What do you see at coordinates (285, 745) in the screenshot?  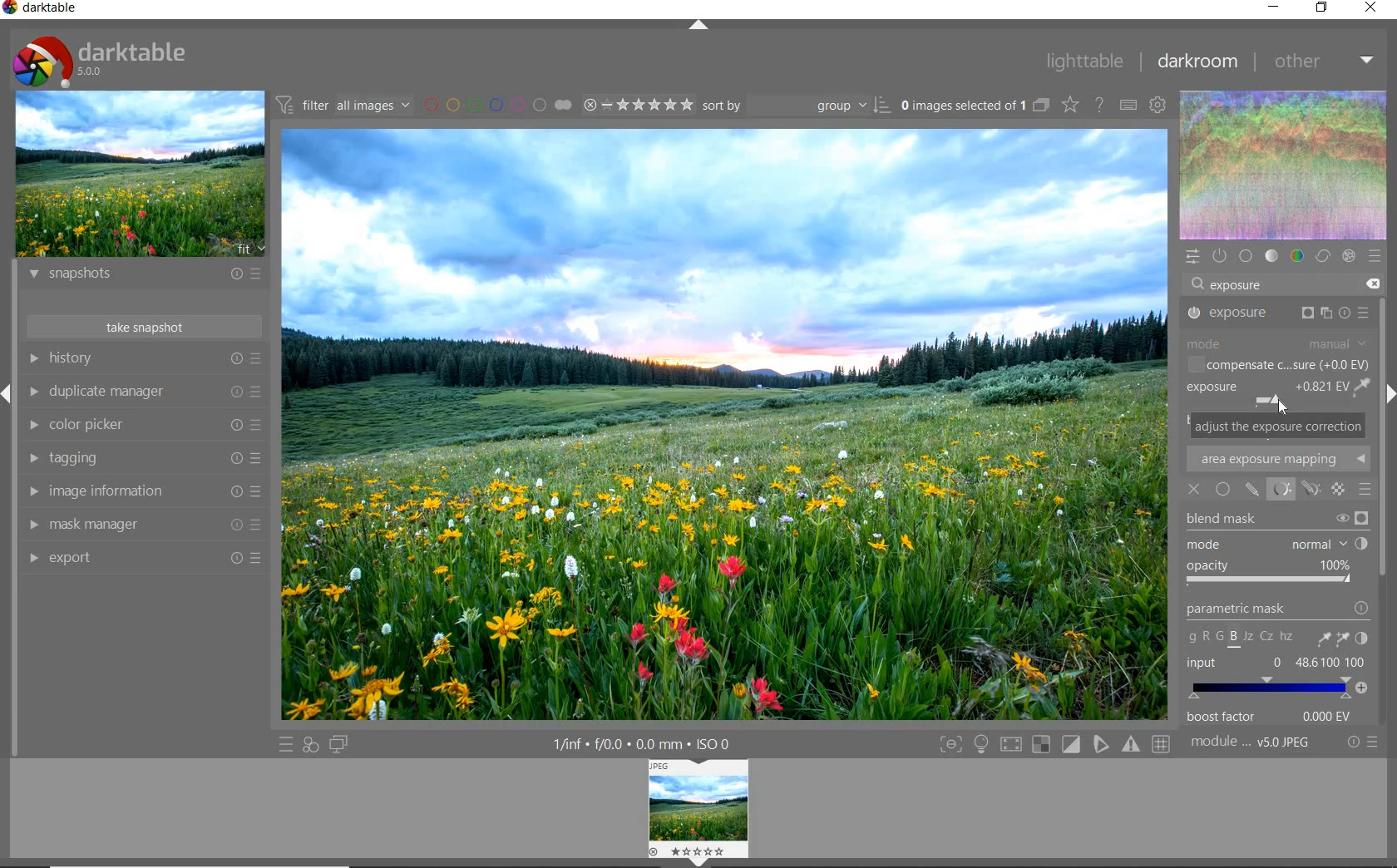 I see `quick access to presets` at bounding box center [285, 745].